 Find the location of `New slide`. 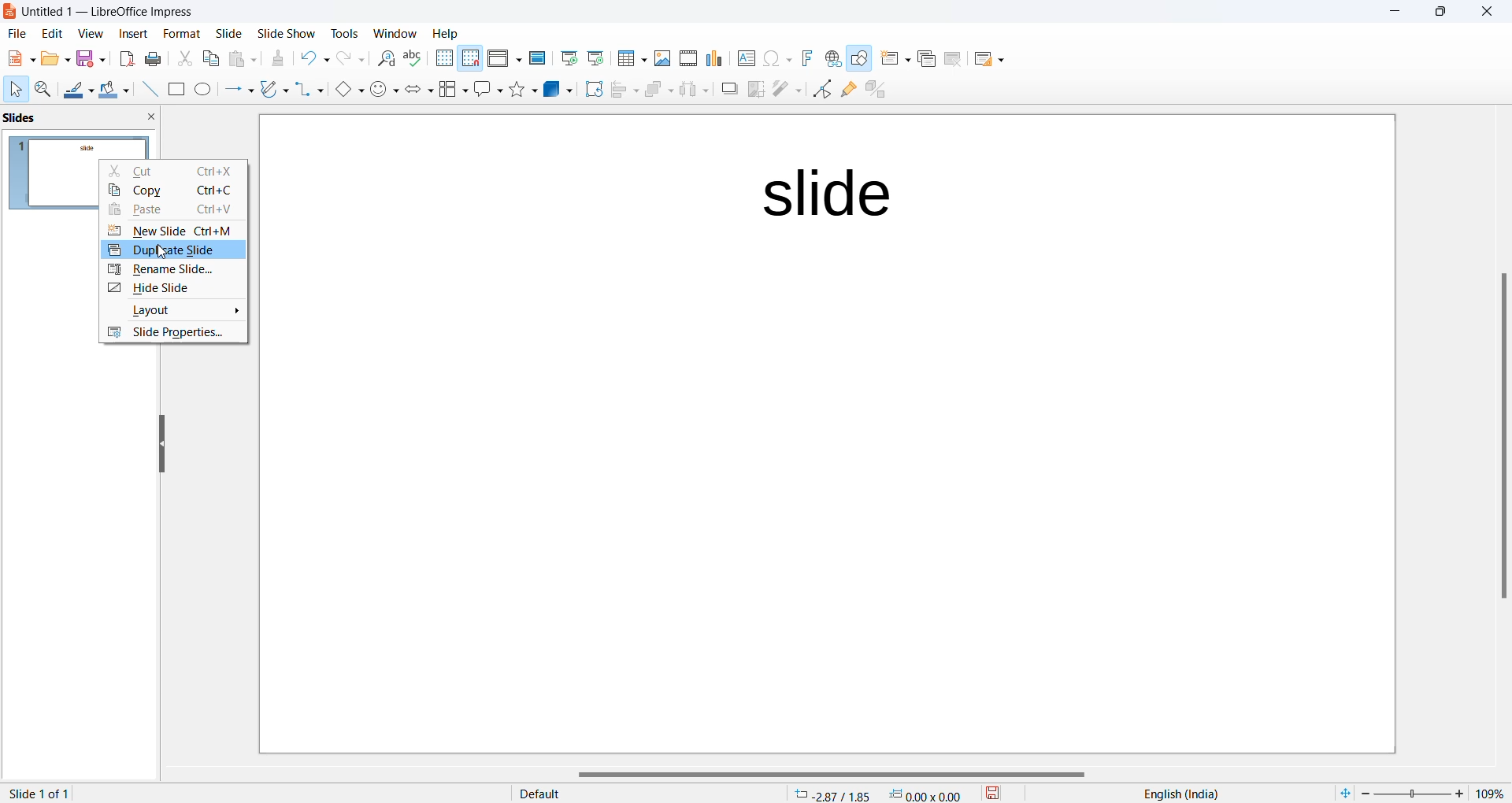

New slide is located at coordinates (177, 230).